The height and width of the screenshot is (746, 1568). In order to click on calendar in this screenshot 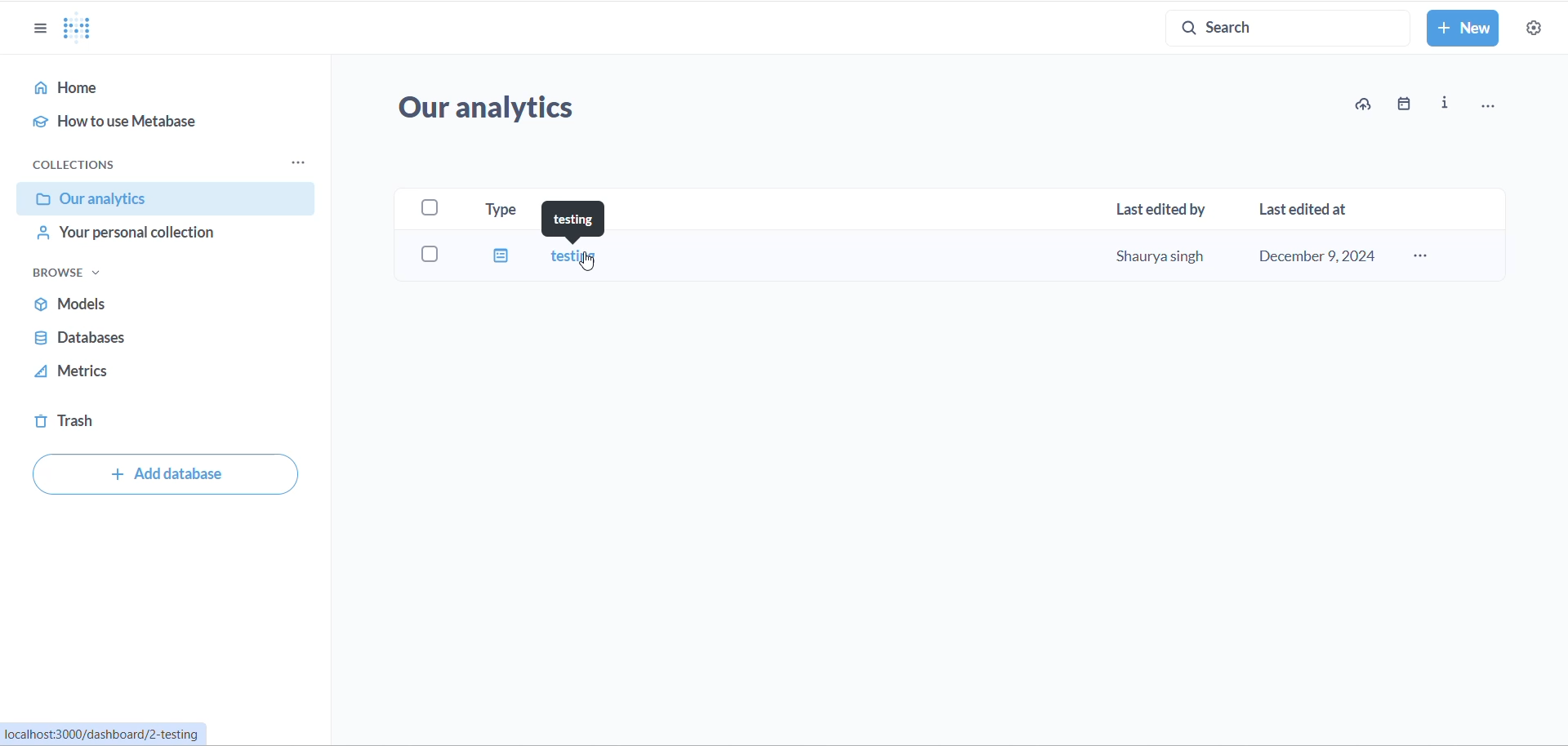, I will do `click(1410, 103)`.